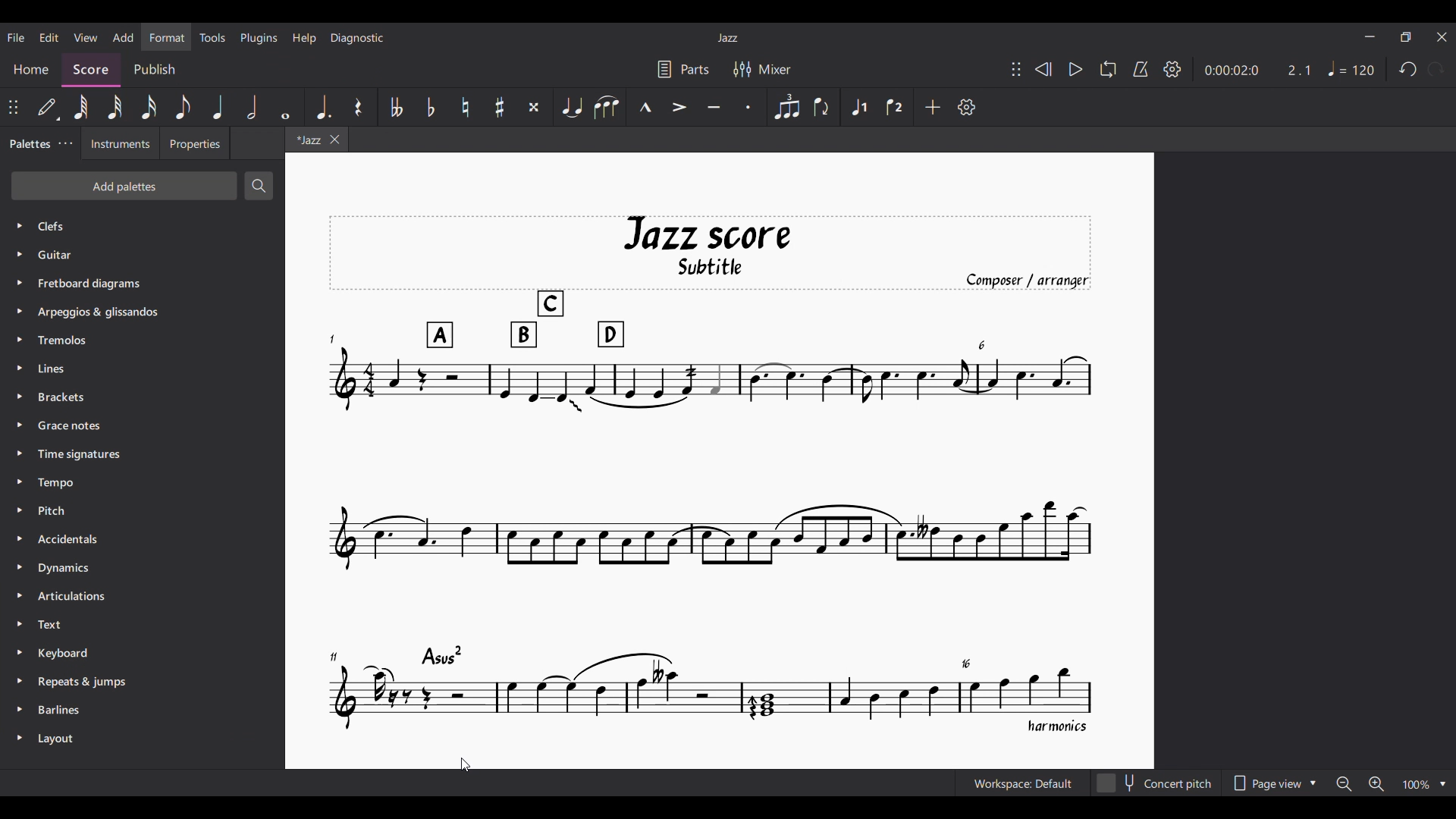  Describe the element at coordinates (85, 37) in the screenshot. I see `View menu` at that location.